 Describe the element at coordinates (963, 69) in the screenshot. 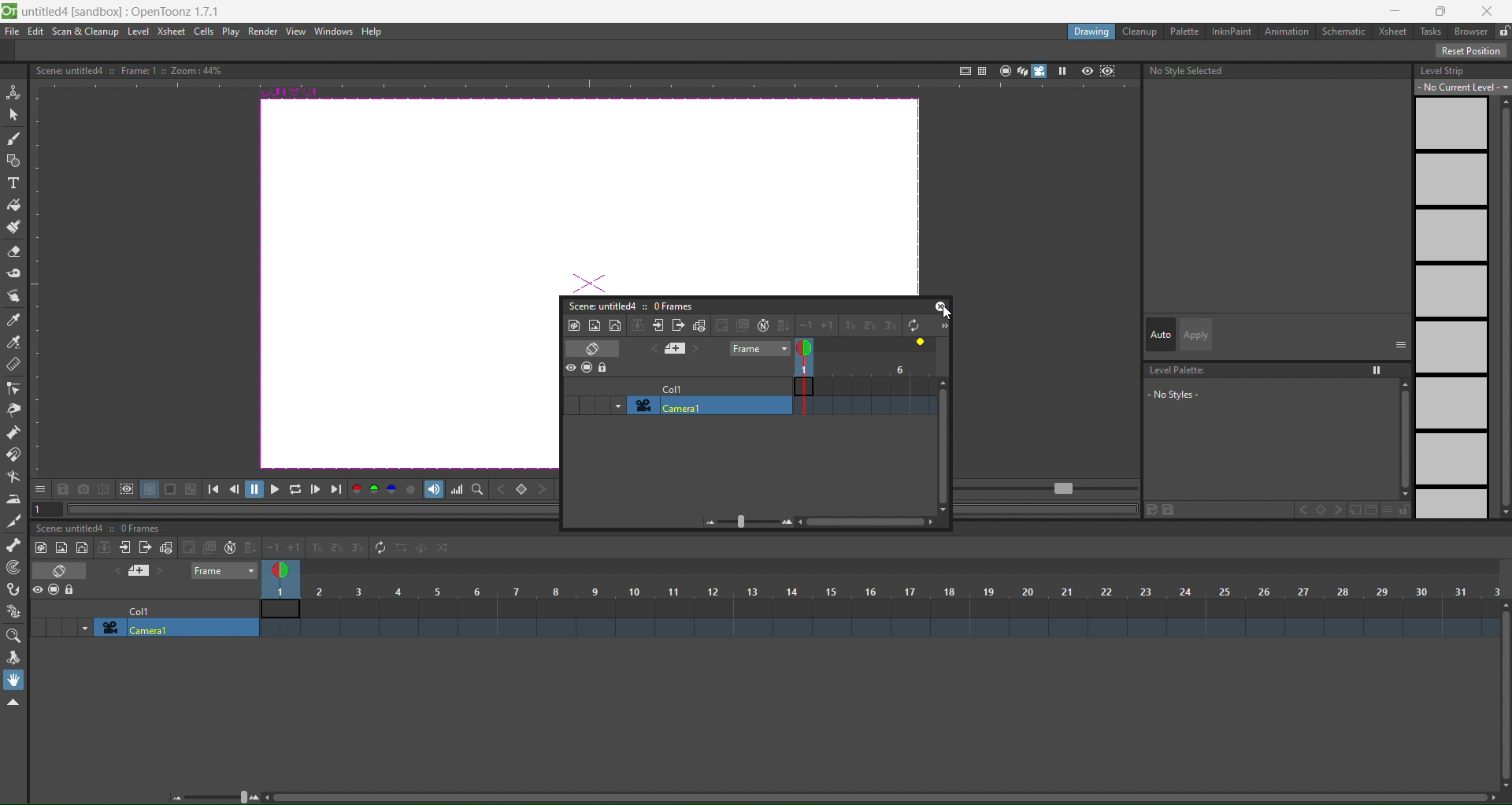

I see `safe area` at that location.